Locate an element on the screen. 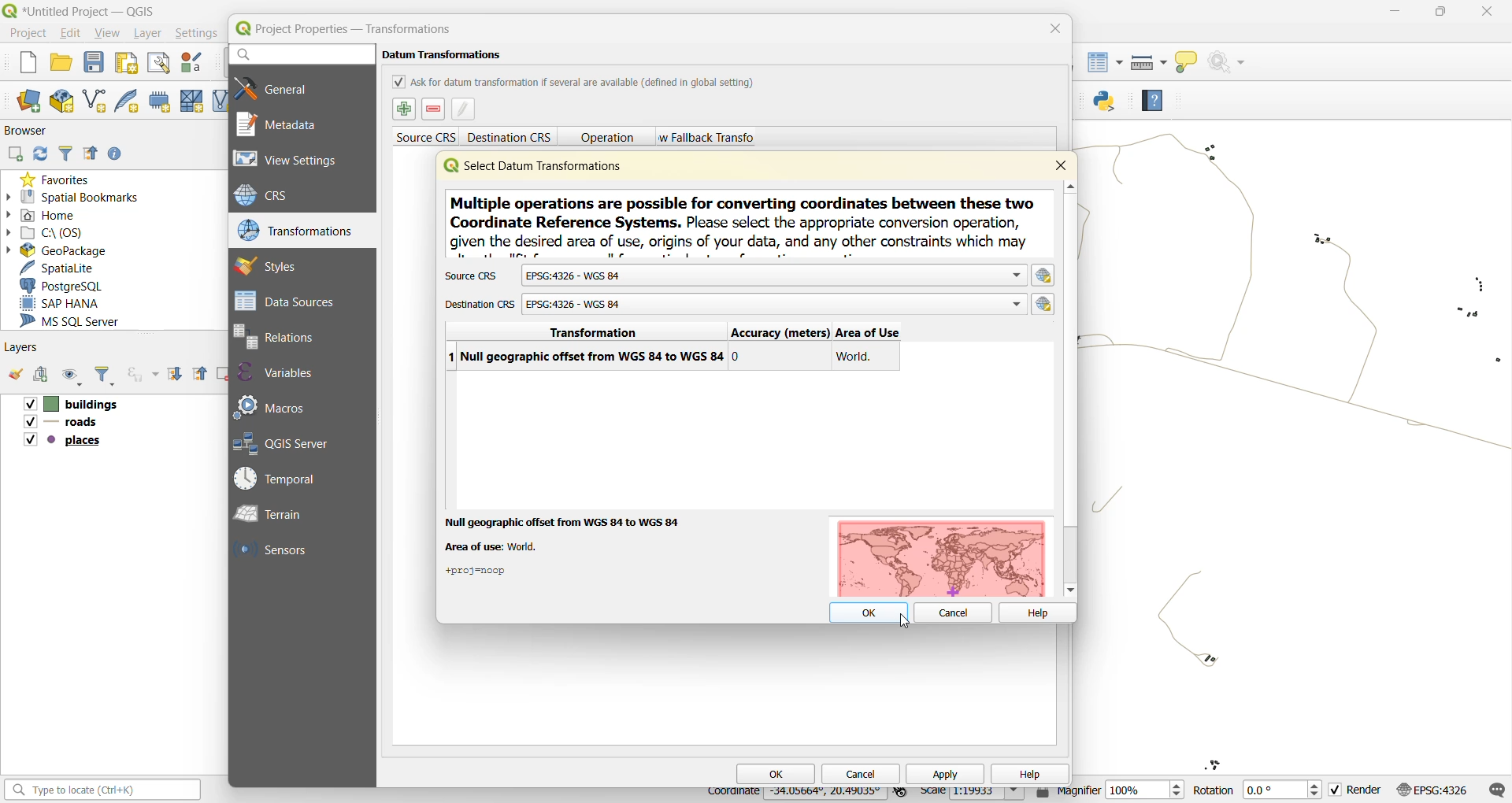 The height and width of the screenshot is (803, 1512). add is located at coordinates (39, 373).